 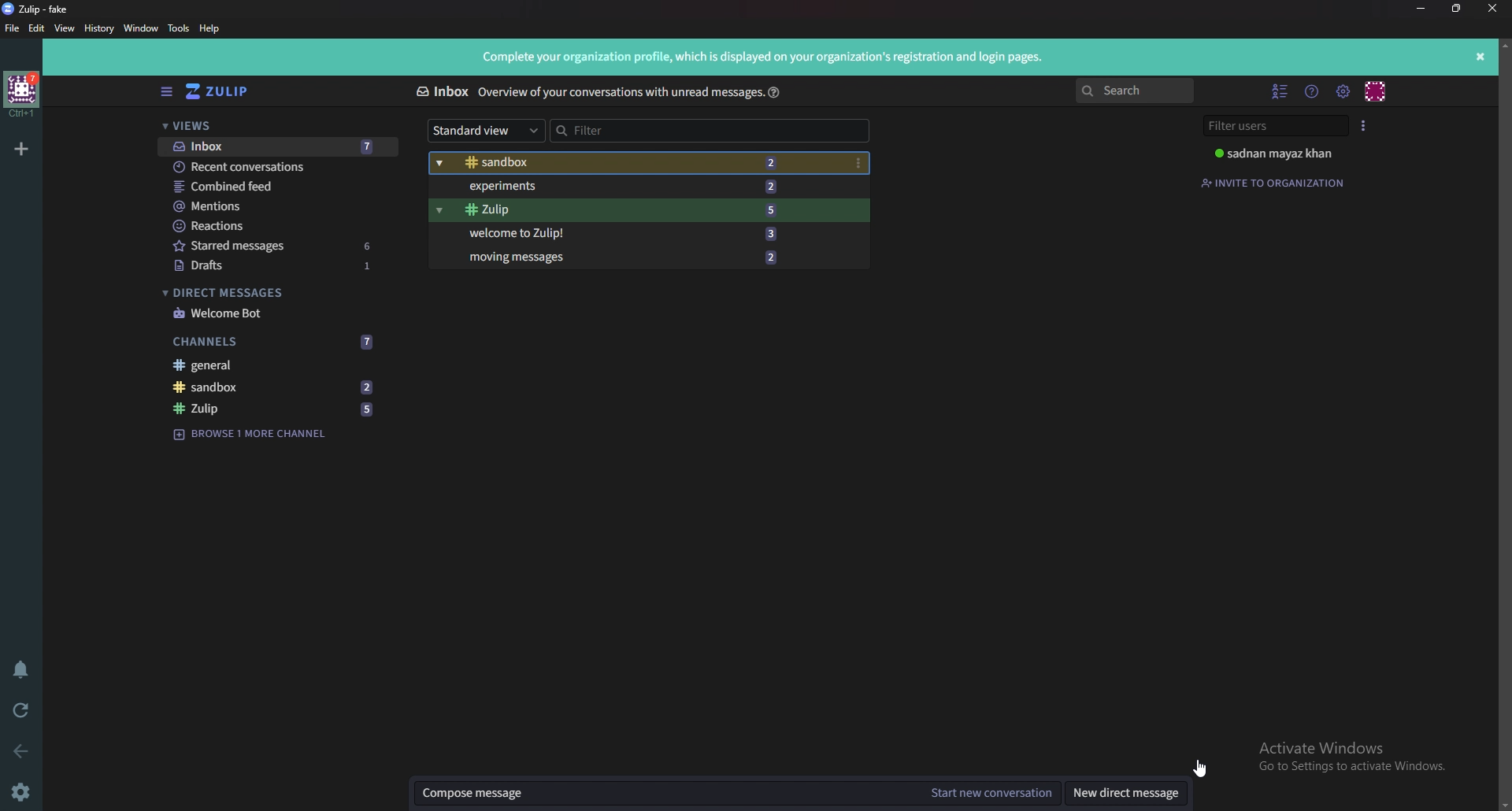 What do you see at coordinates (271, 365) in the screenshot?
I see `General` at bounding box center [271, 365].